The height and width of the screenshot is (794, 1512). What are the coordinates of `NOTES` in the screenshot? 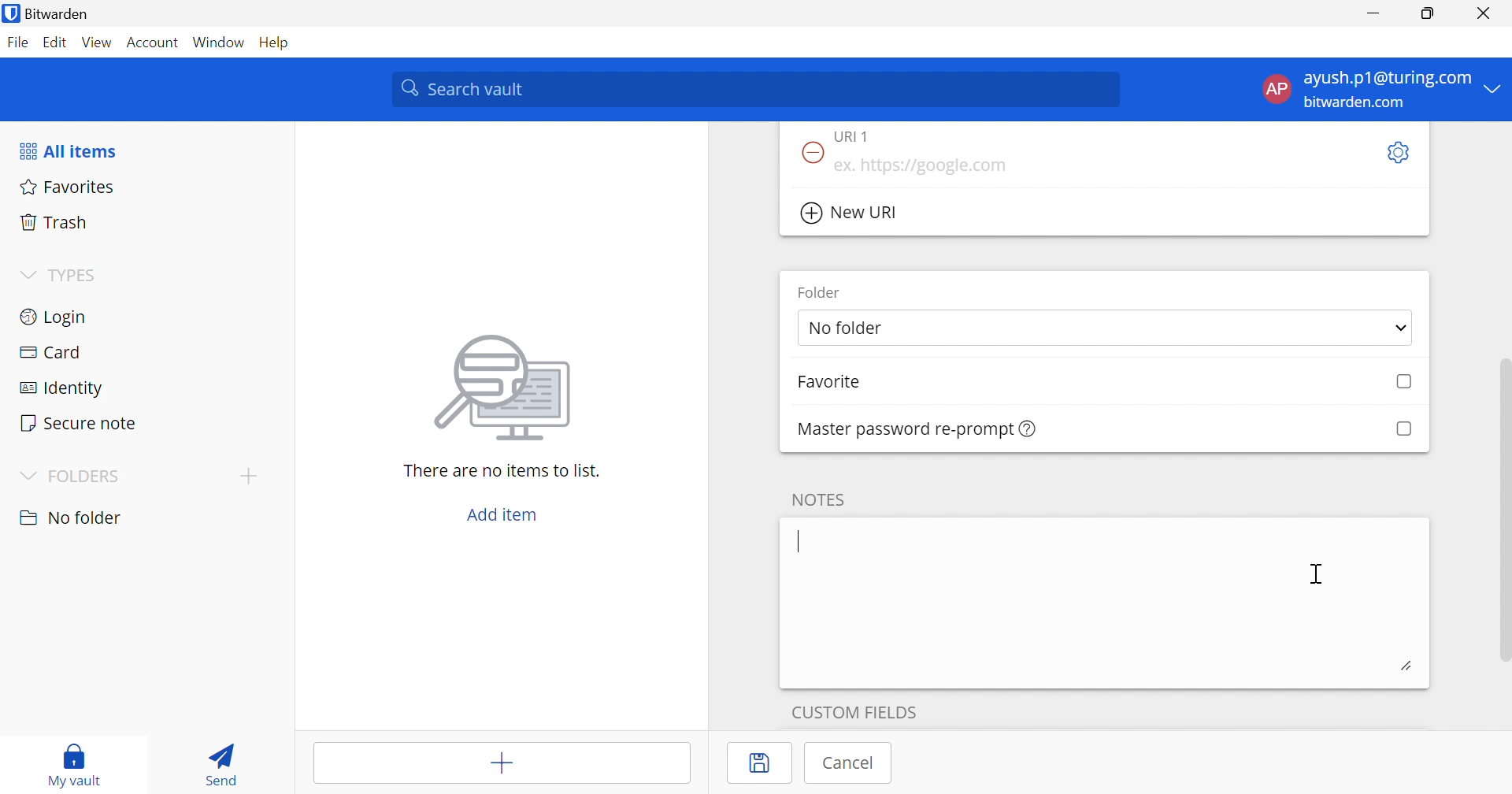 It's located at (816, 499).